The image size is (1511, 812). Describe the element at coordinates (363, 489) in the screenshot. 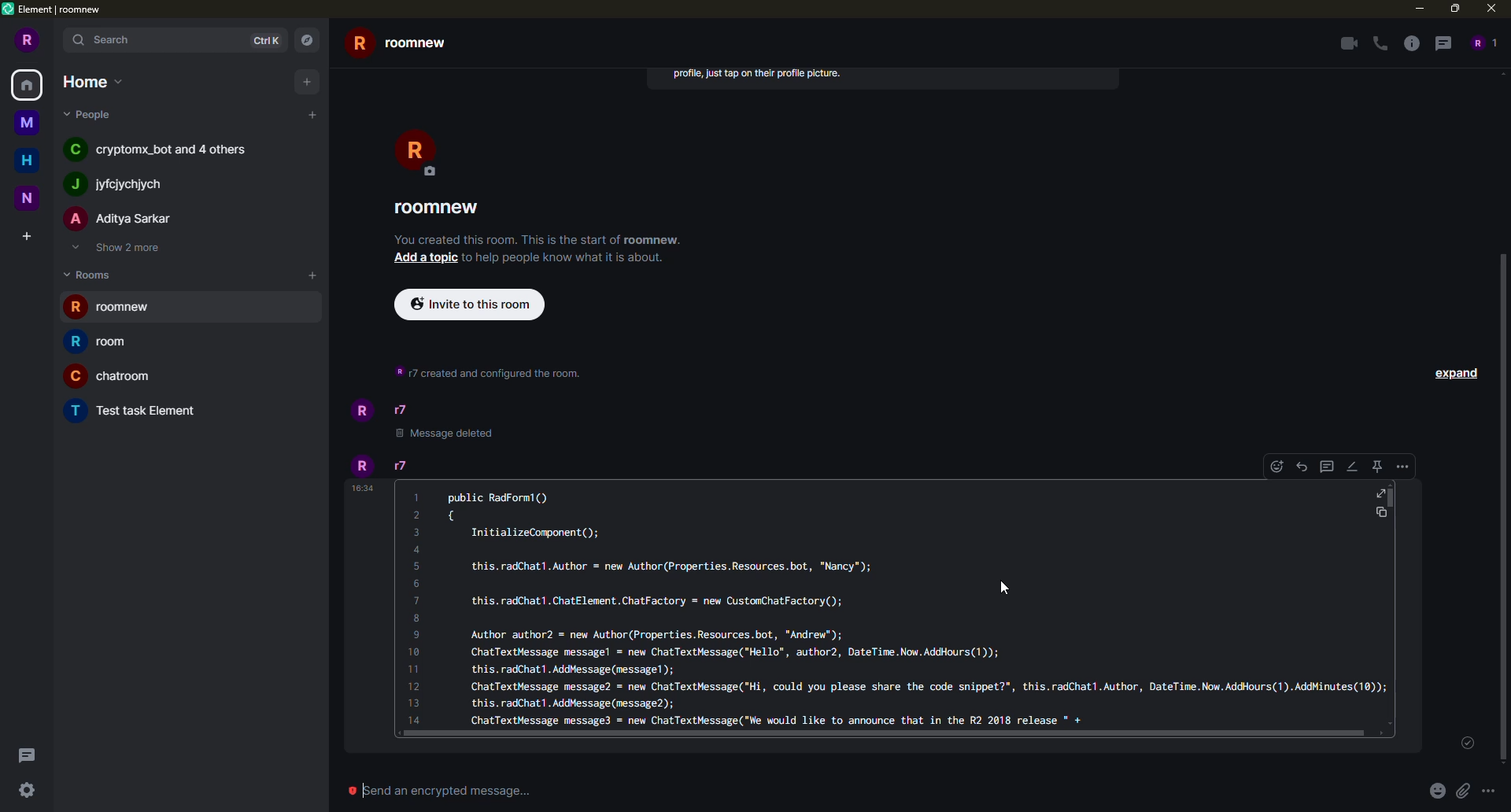

I see `time` at that location.